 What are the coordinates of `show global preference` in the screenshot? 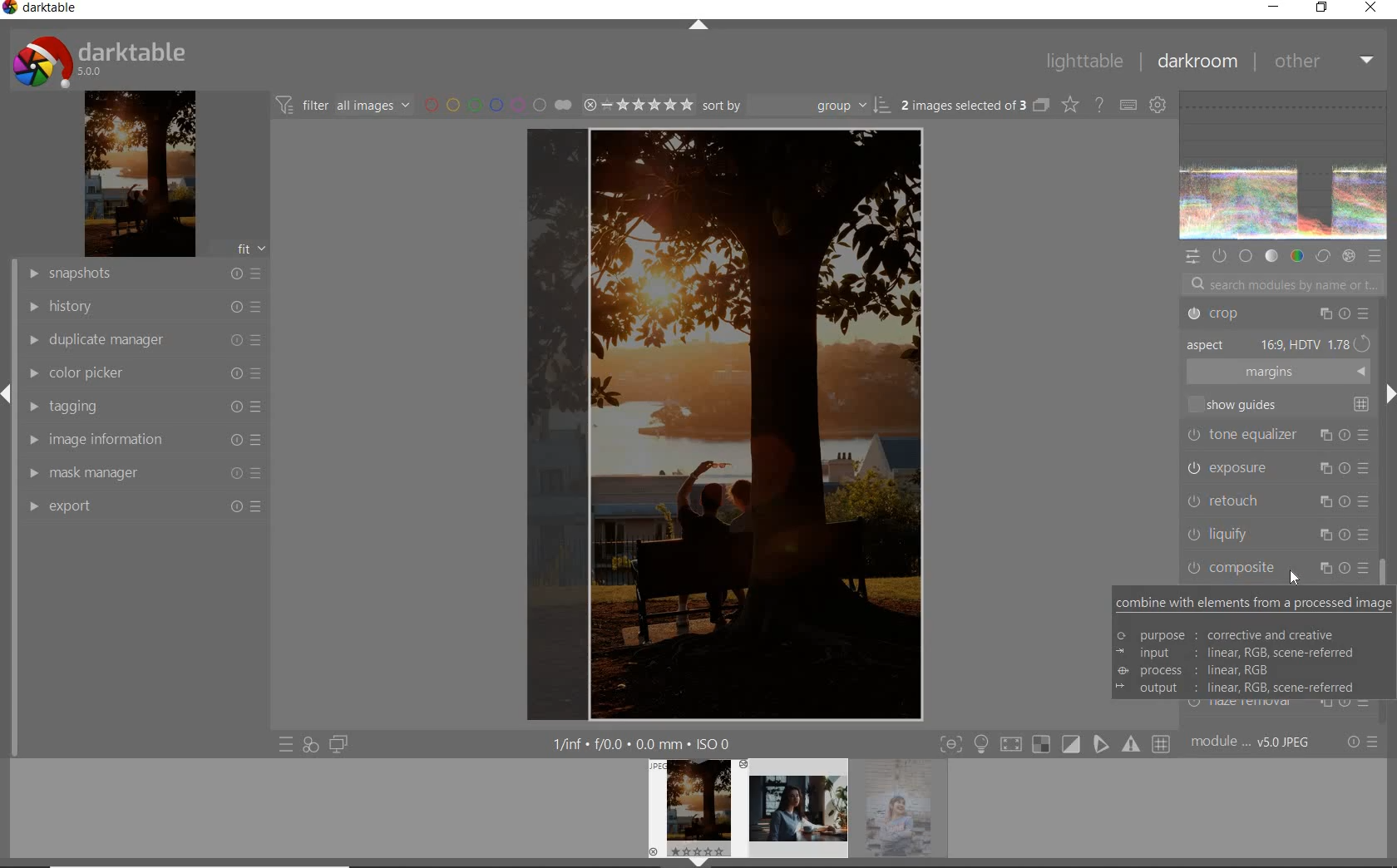 It's located at (1159, 104).